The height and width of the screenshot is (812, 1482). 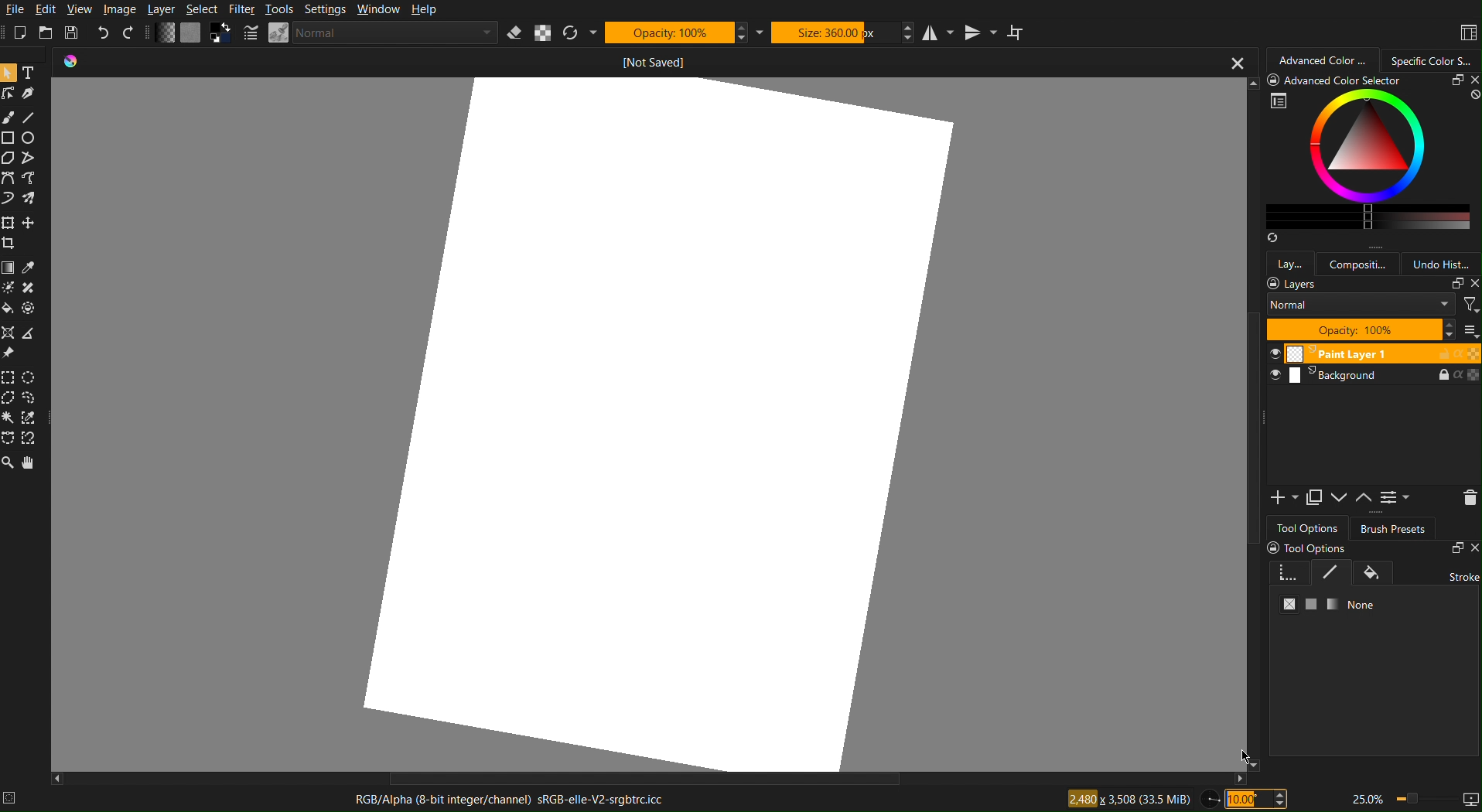 I want to click on Up, so click(x=1364, y=500).